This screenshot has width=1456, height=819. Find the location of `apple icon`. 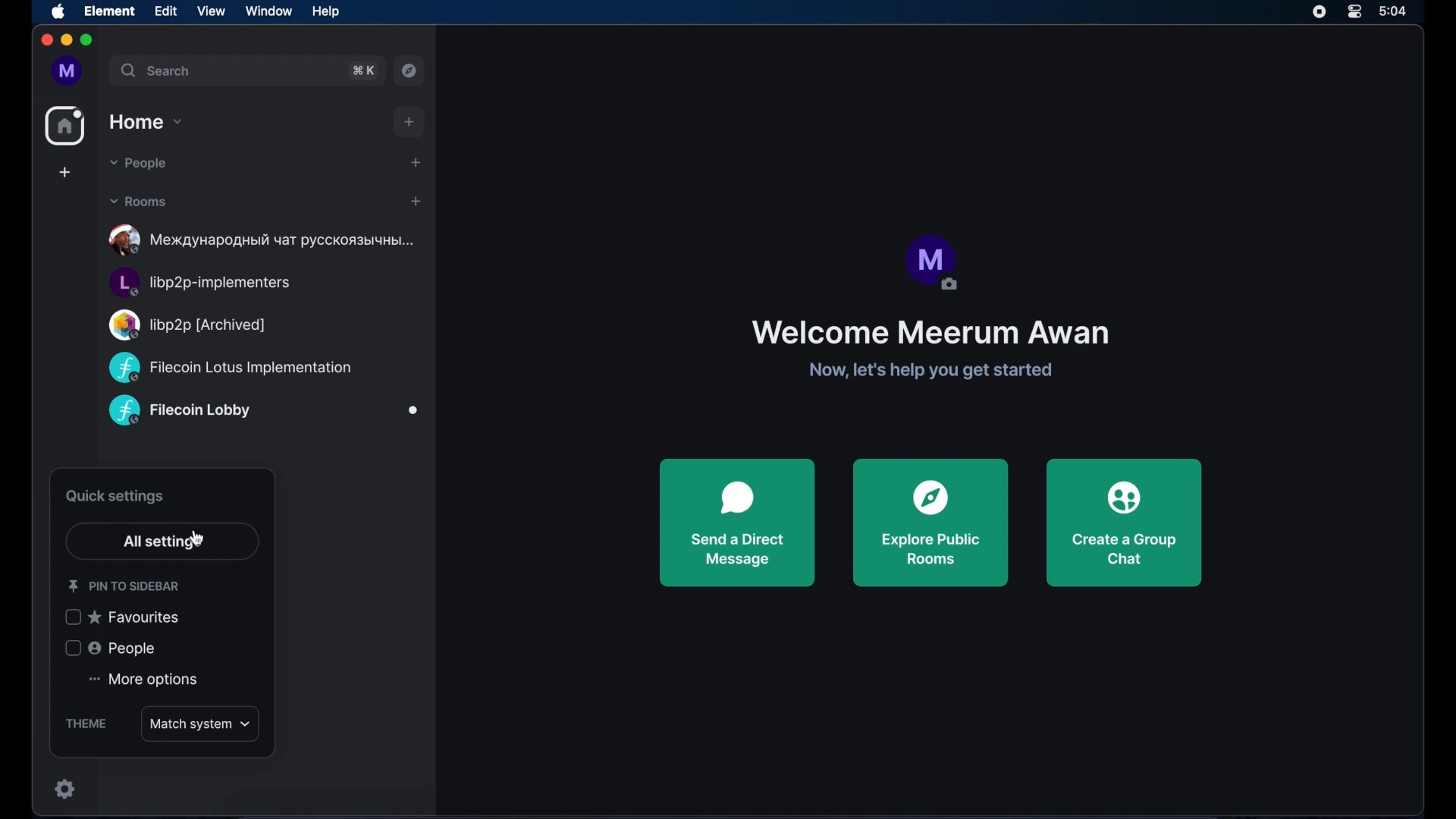

apple icon is located at coordinates (59, 12).